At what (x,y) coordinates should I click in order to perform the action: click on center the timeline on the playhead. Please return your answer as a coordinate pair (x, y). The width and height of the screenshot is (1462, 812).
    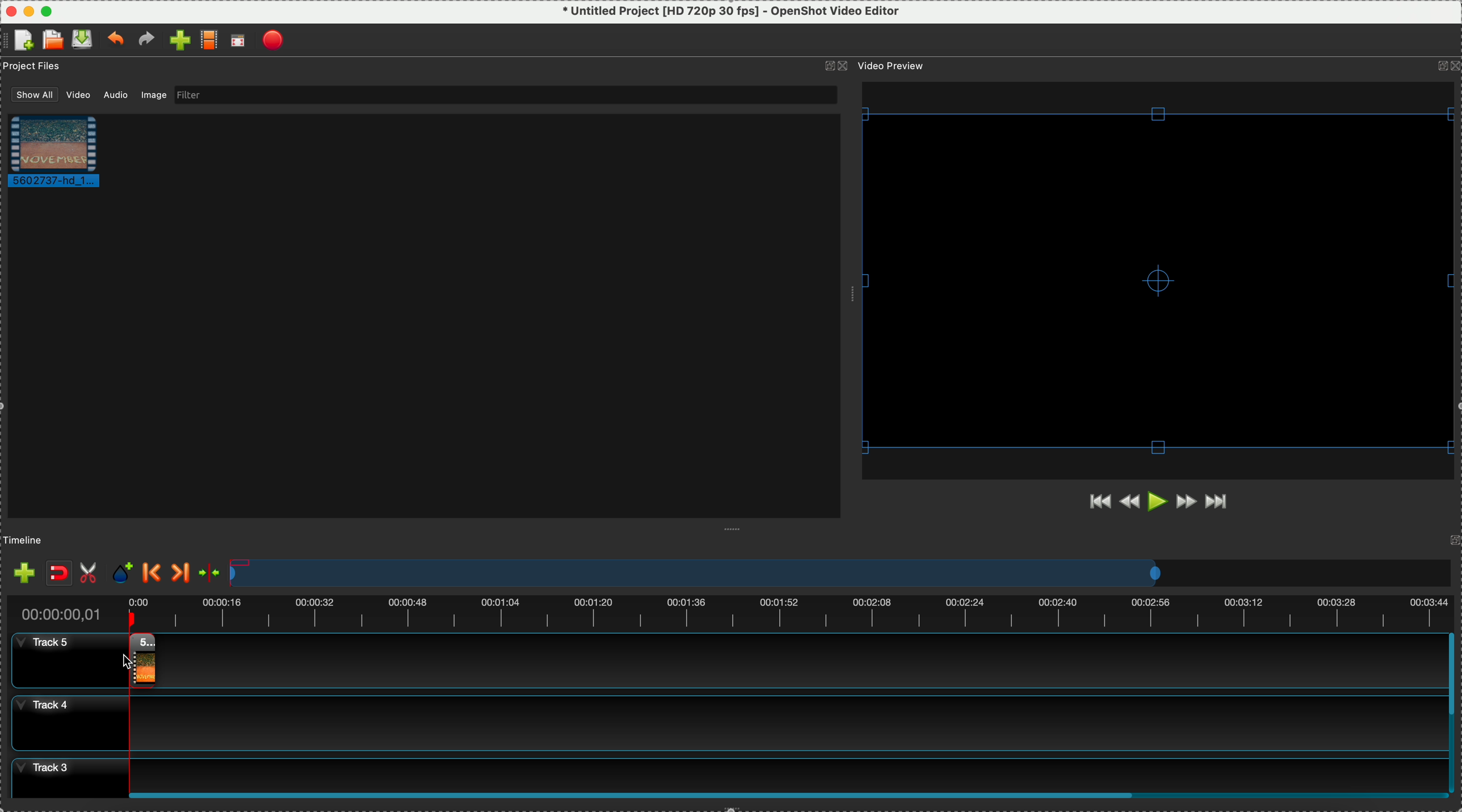
    Looking at the image, I should click on (211, 573).